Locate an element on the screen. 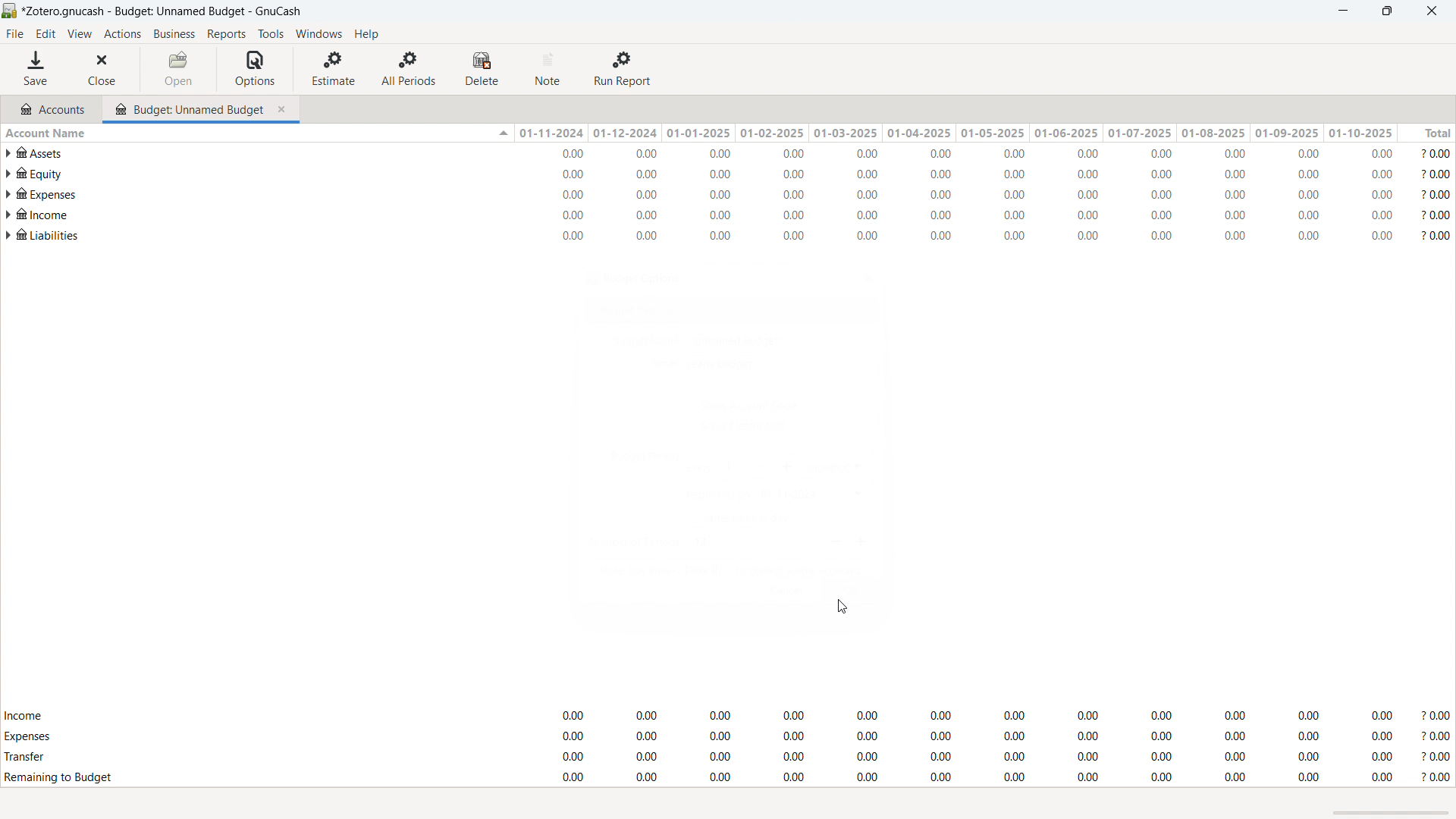 This screenshot has height=819, width=1456. accounts is located at coordinates (52, 107).